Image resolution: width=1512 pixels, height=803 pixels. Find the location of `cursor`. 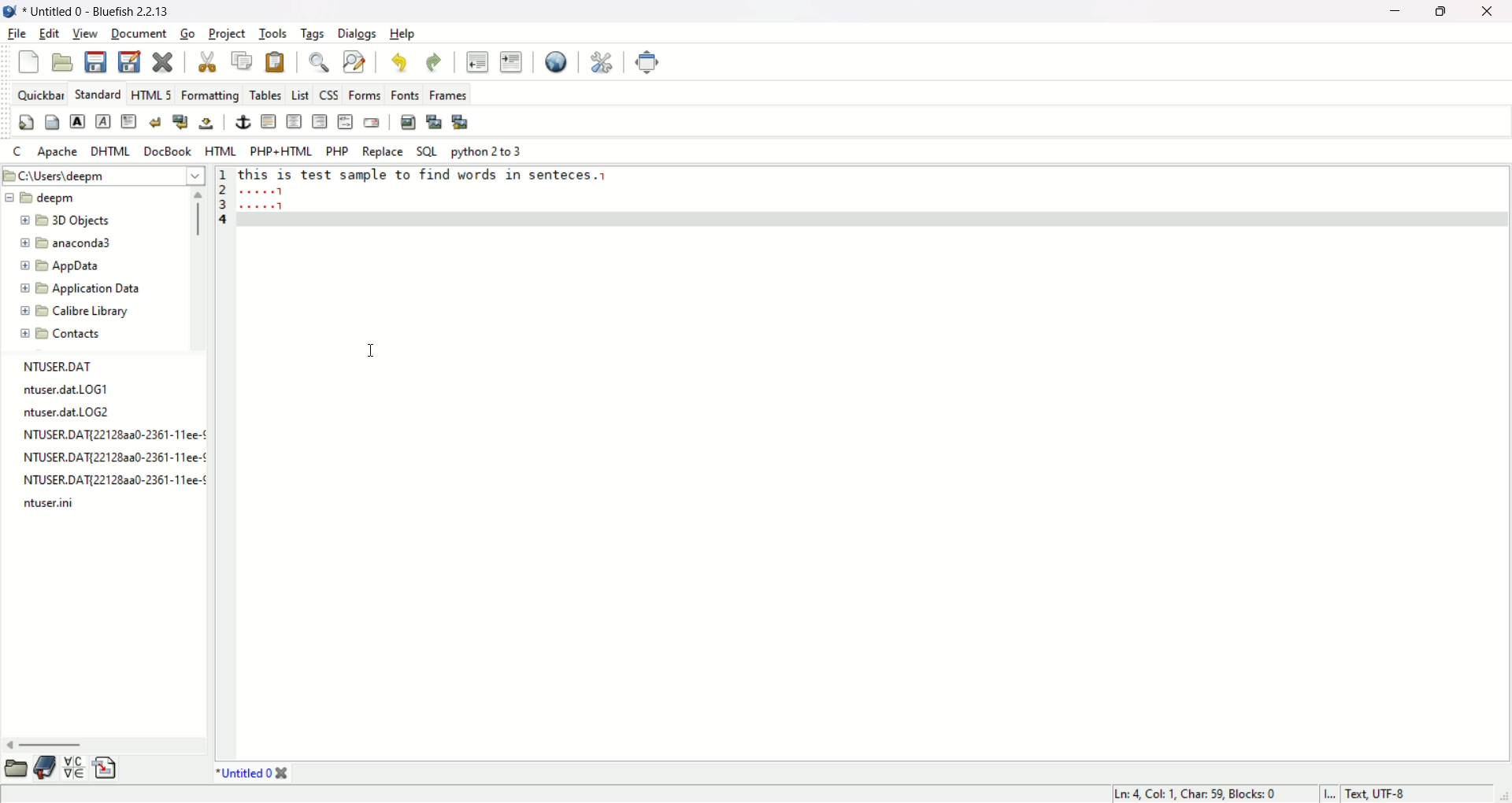

cursor is located at coordinates (372, 350).